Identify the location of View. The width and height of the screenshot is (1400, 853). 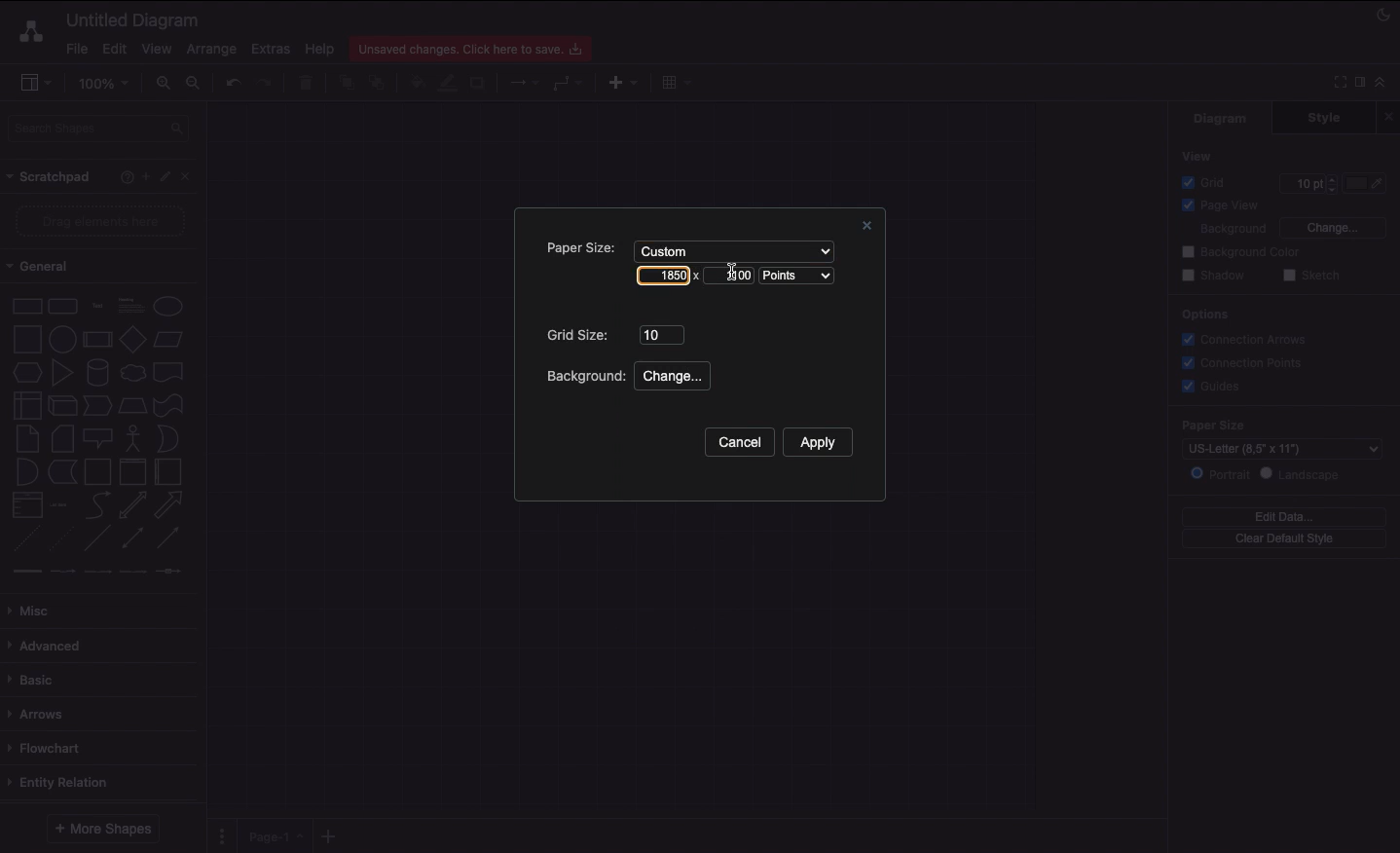
(157, 46).